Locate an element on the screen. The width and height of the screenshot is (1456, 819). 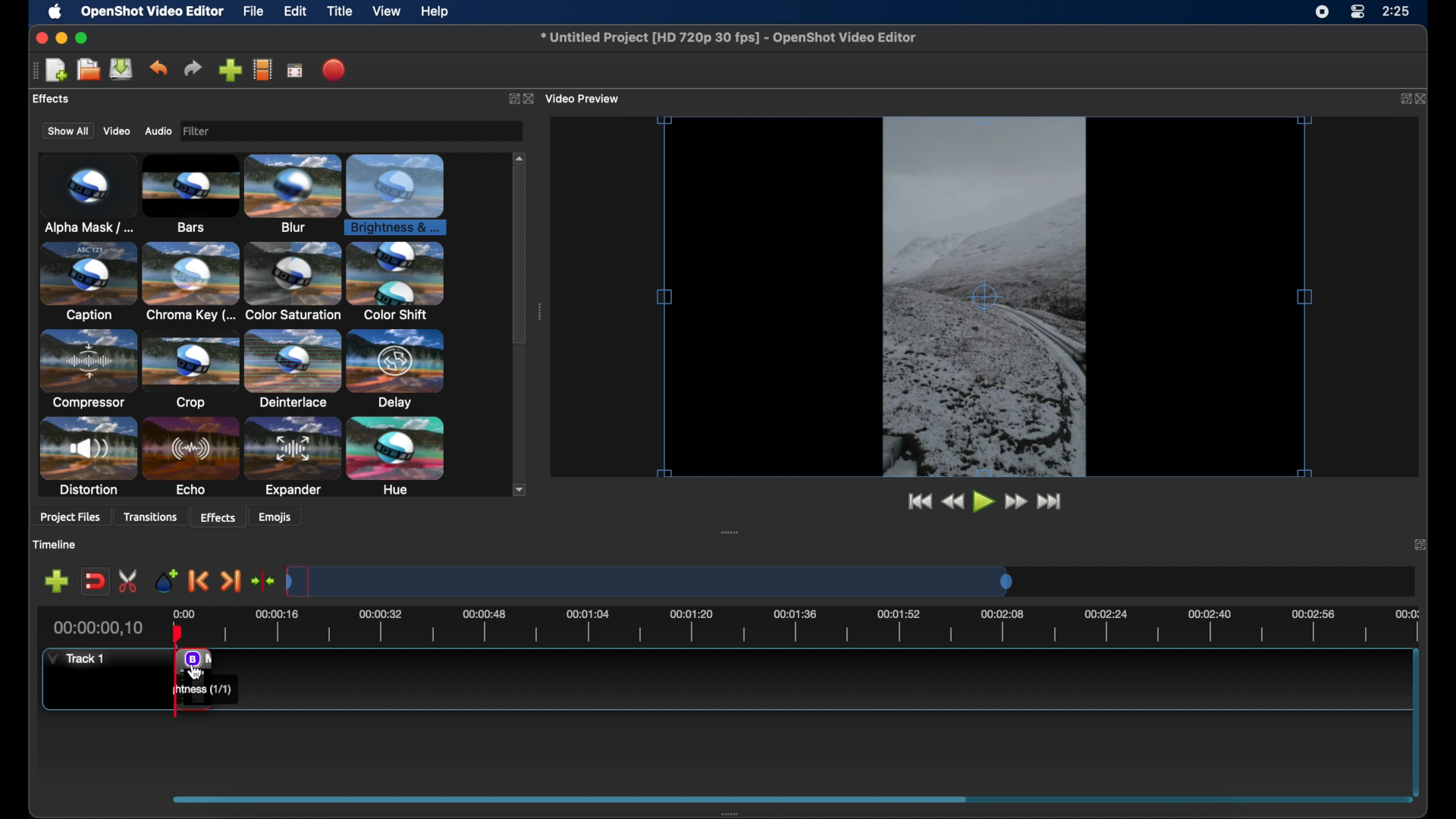
blur is located at coordinates (293, 192).